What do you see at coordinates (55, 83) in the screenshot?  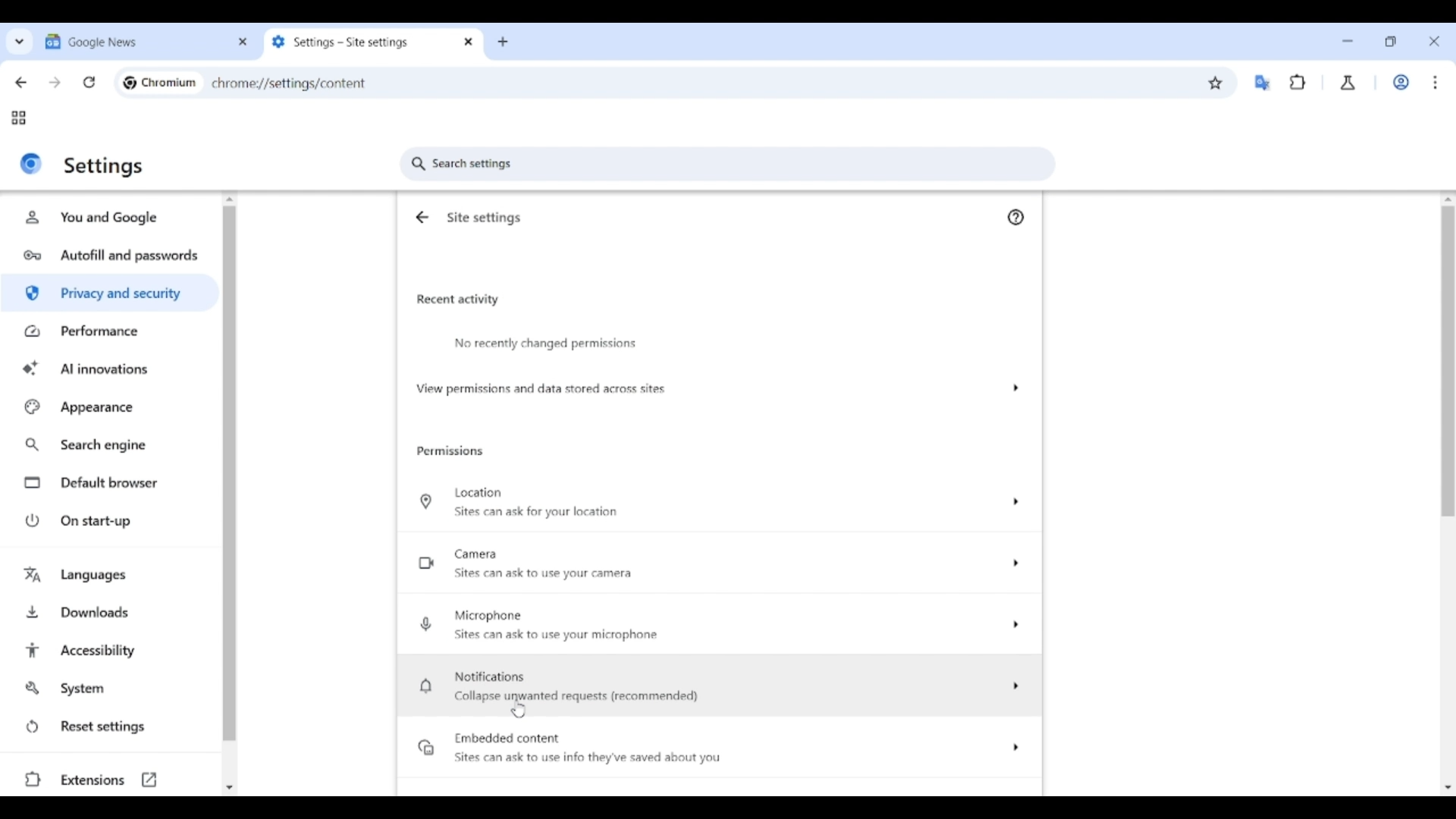 I see `Go forward` at bounding box center [55, 83].